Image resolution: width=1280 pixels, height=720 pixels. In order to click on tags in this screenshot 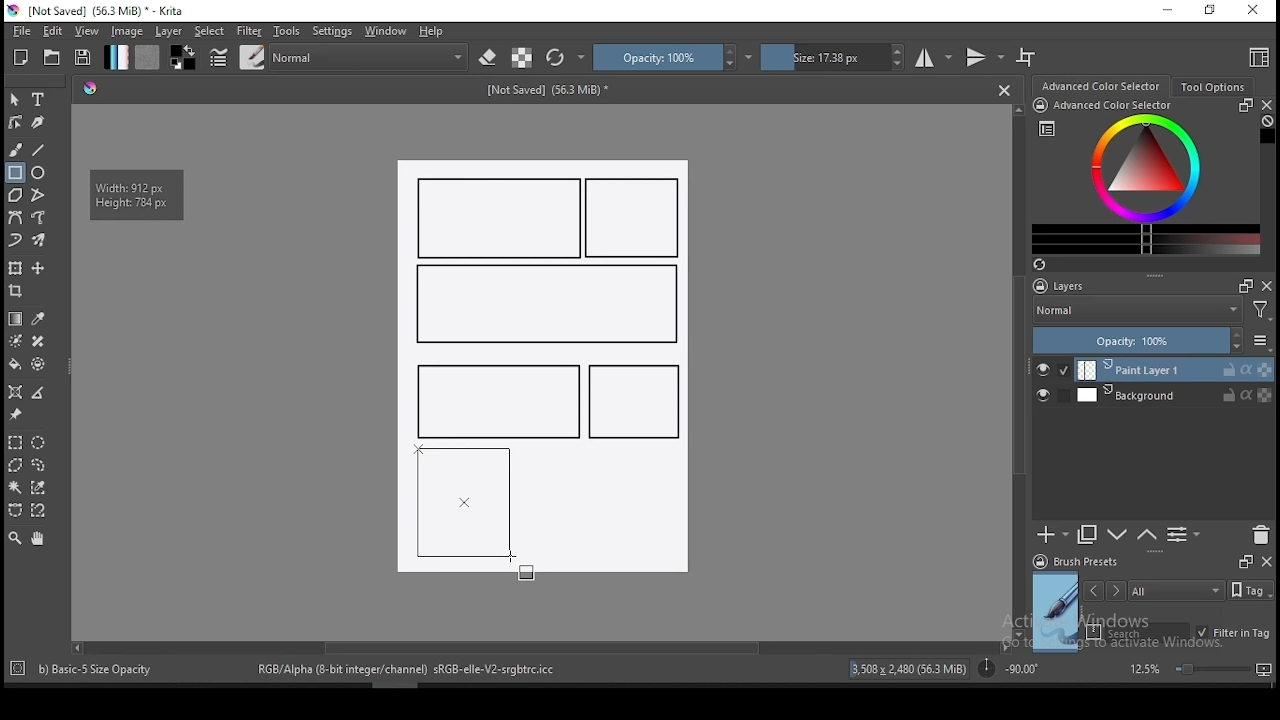, I will do `click(1176, 590)`.